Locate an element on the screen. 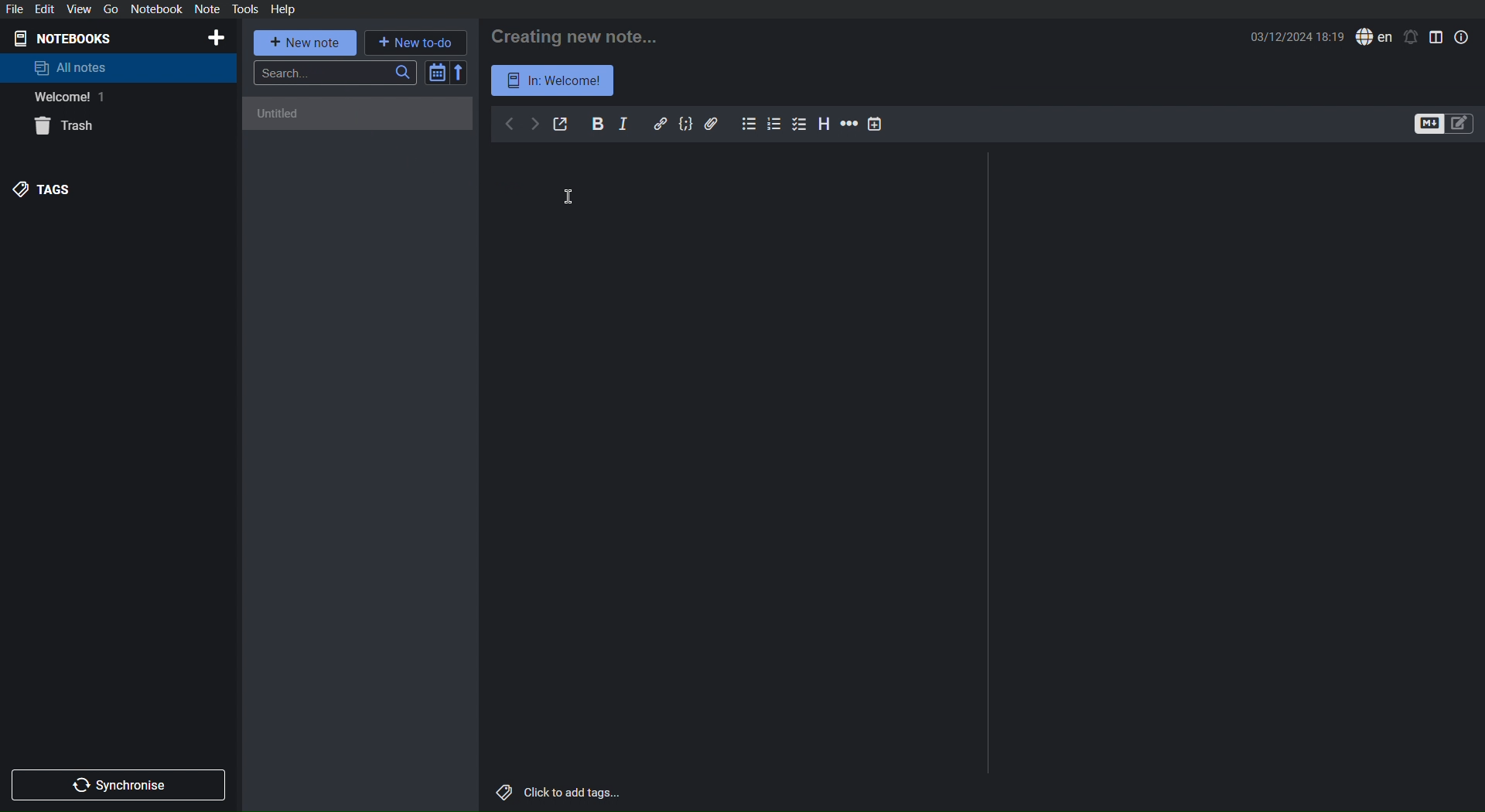 This screenshot has width=1485, height=812. Checklist is located at coordinates (801, 124).